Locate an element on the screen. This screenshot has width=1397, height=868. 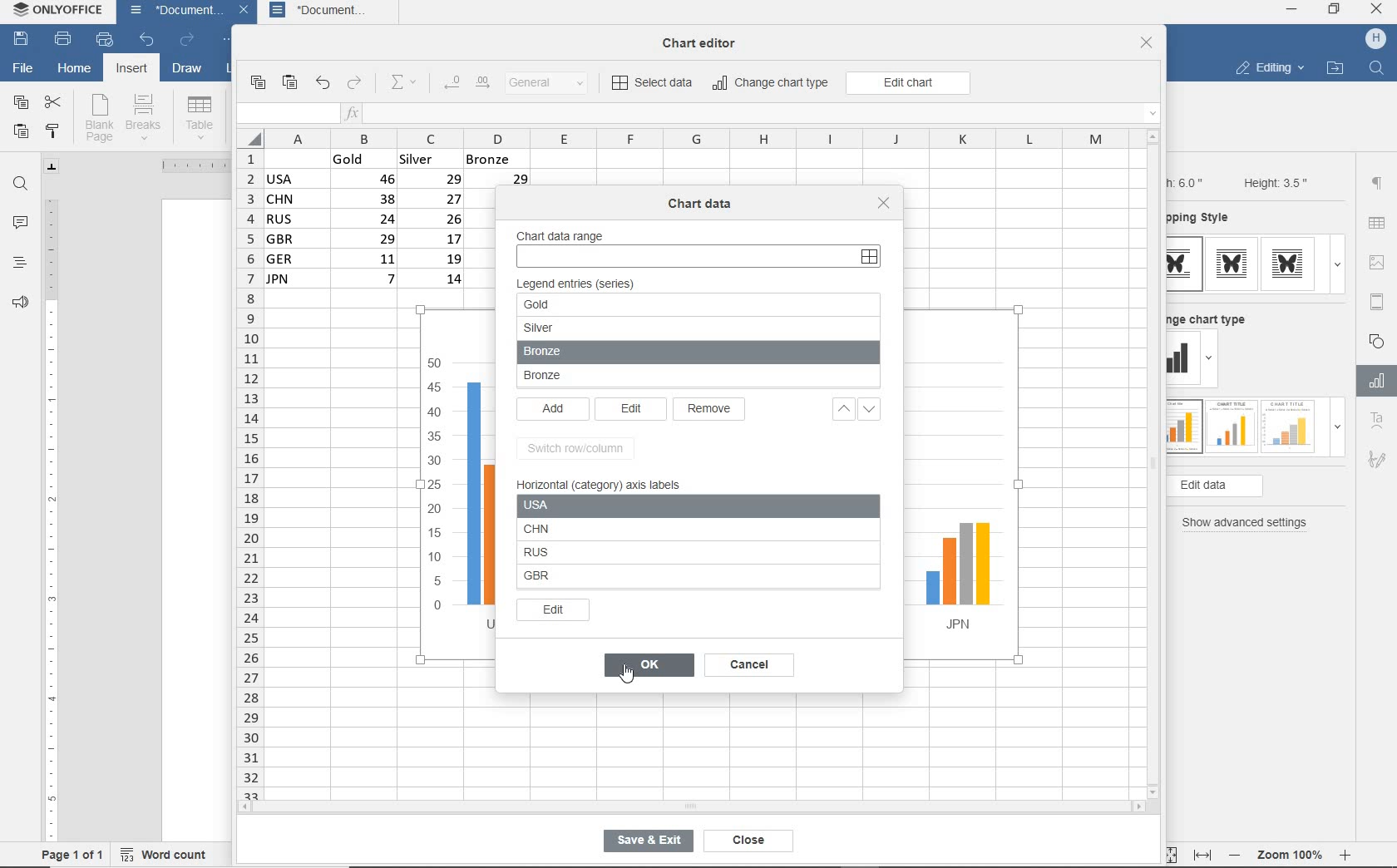
save is located at coordinates (22, 40).